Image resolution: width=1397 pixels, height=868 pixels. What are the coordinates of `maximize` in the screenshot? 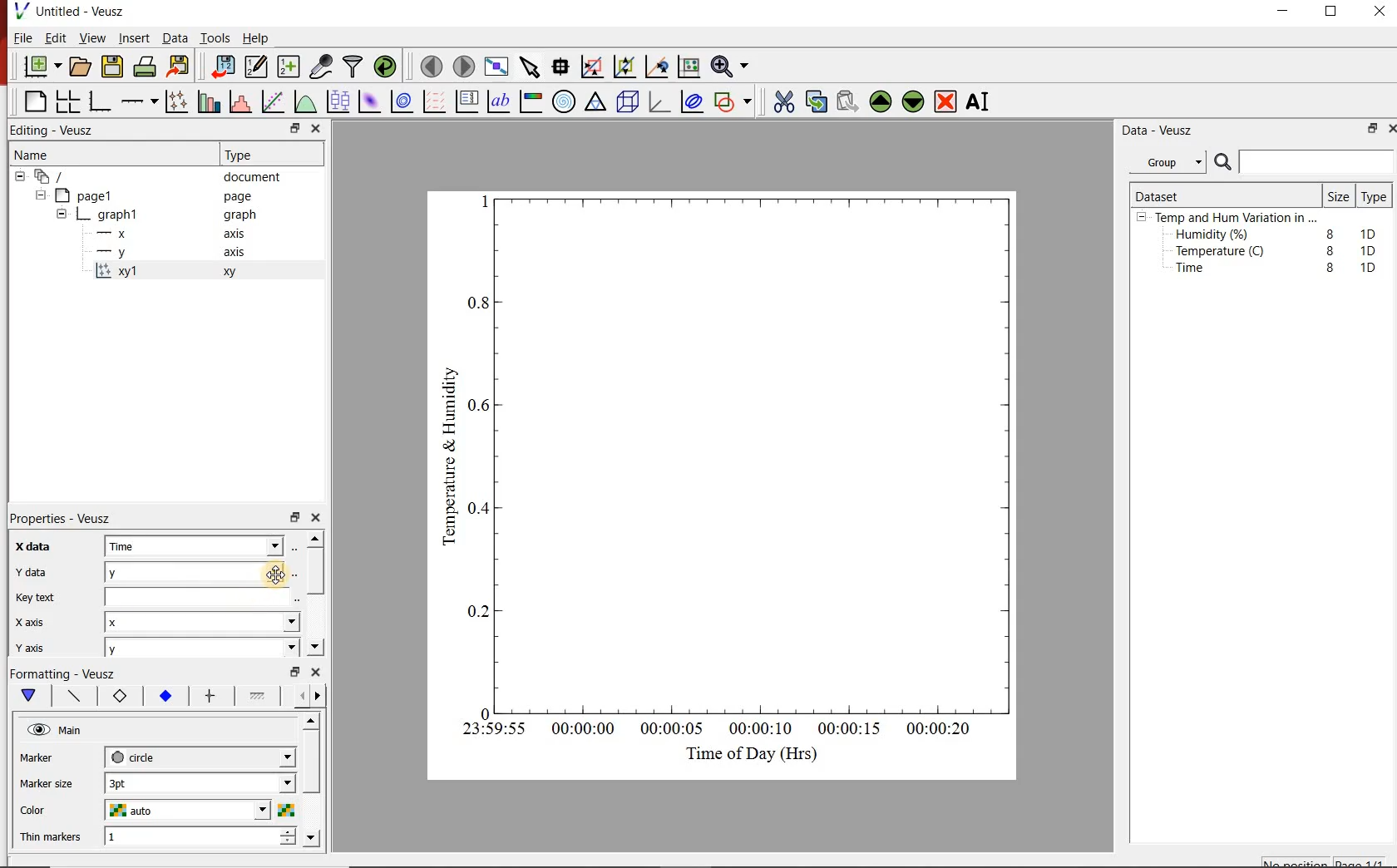 It's located at (1340, 12).